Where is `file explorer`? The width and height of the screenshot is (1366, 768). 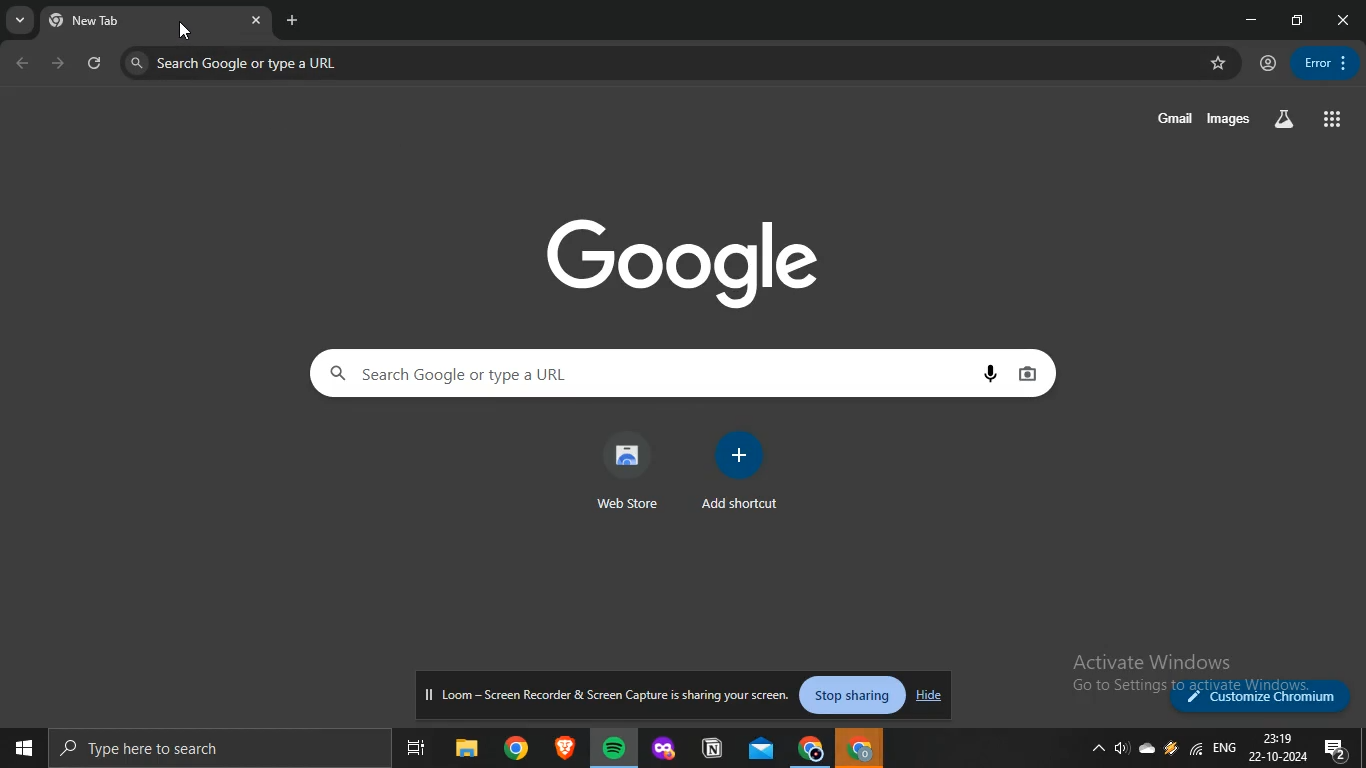 file explorer is located at coordinates (469, 746).